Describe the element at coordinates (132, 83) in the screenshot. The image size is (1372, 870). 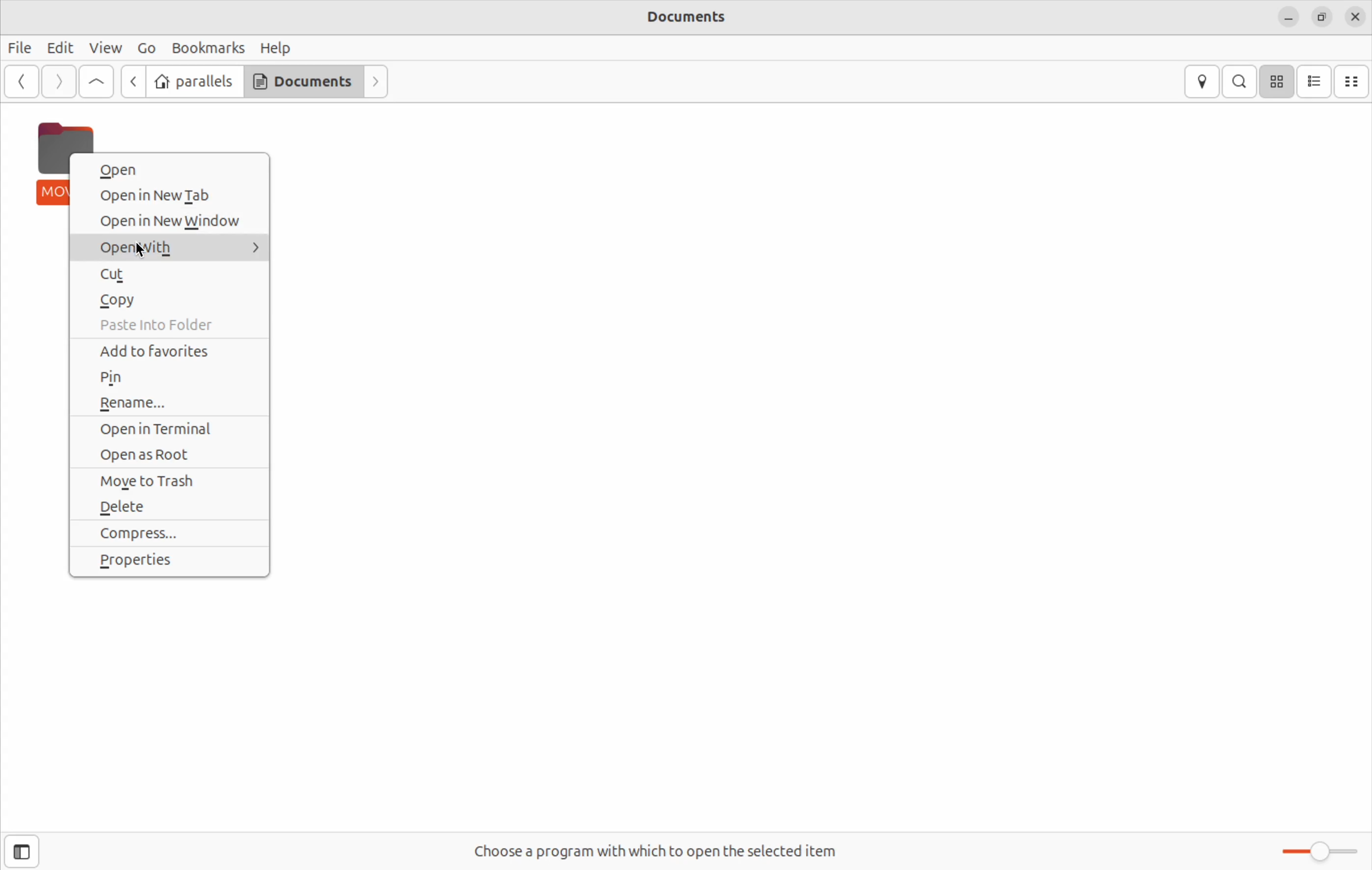
I see `back` at that location.